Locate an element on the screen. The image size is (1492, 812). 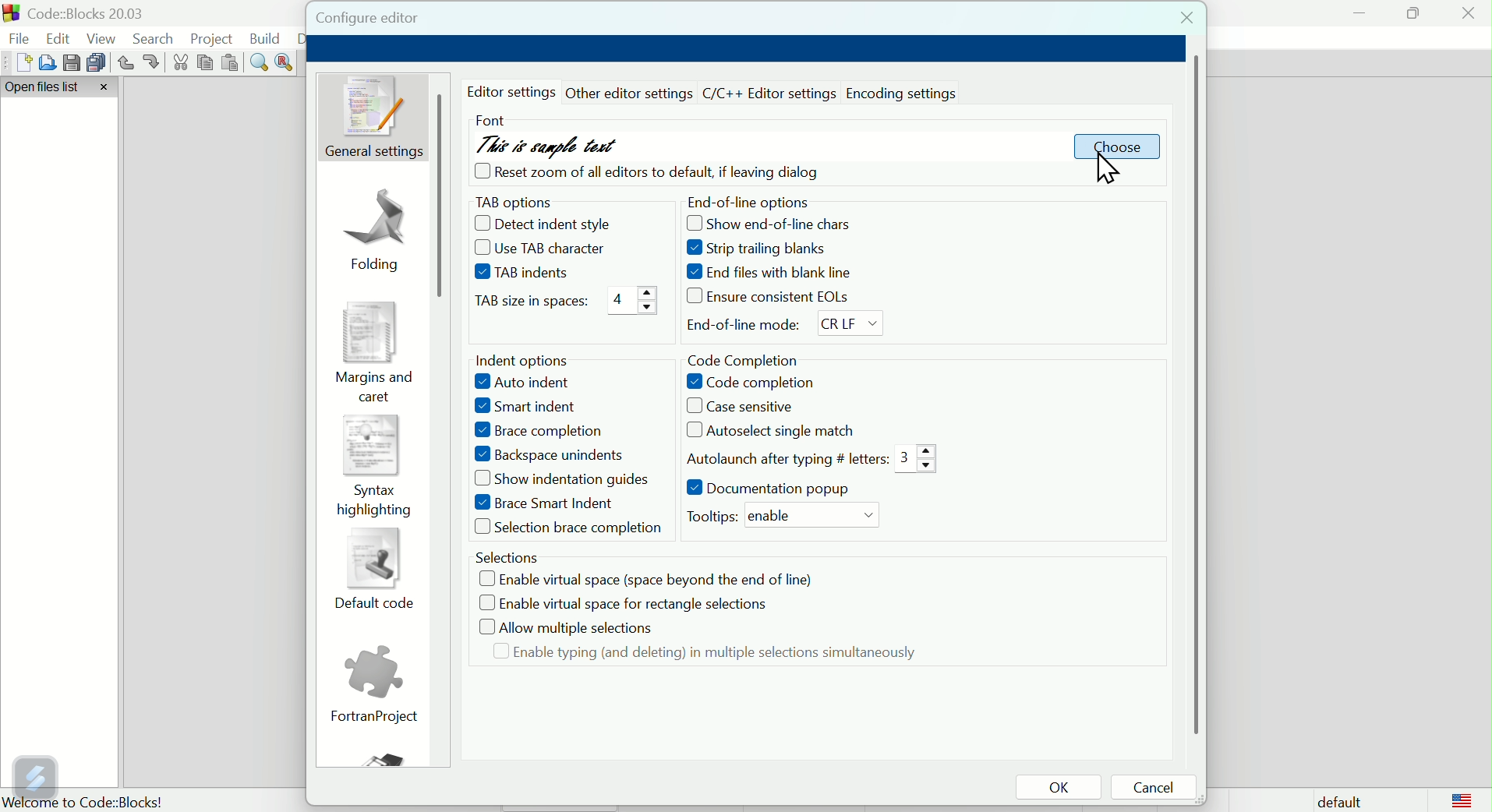
Decent indent style is located at coordinates (538, 220).